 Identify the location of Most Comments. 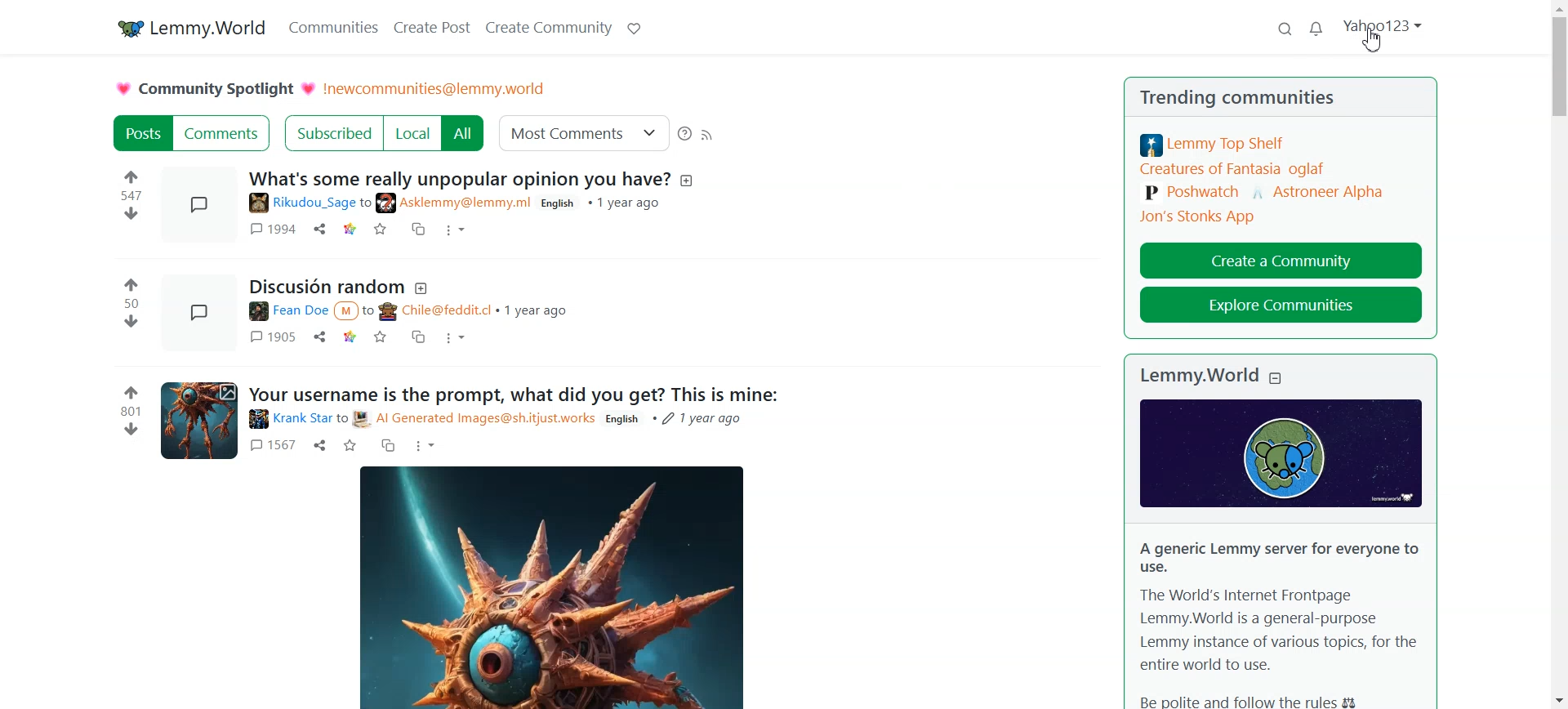
(584, 132).